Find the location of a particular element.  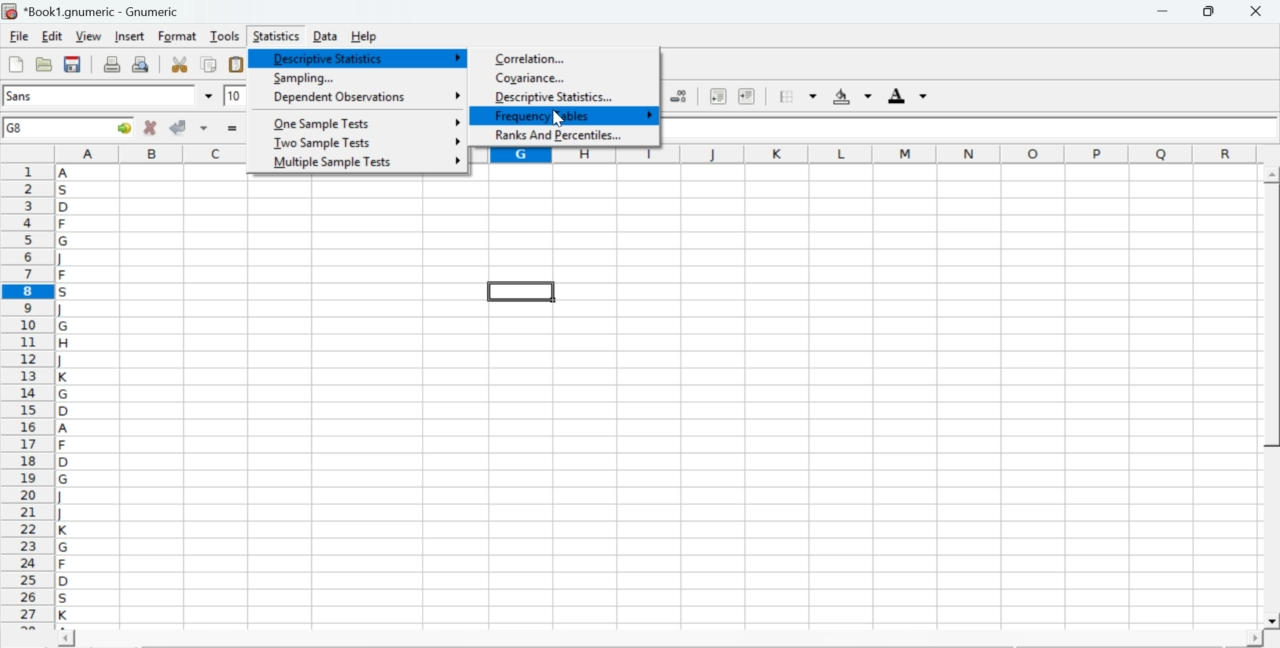

view is located at coordinates (88, 35).